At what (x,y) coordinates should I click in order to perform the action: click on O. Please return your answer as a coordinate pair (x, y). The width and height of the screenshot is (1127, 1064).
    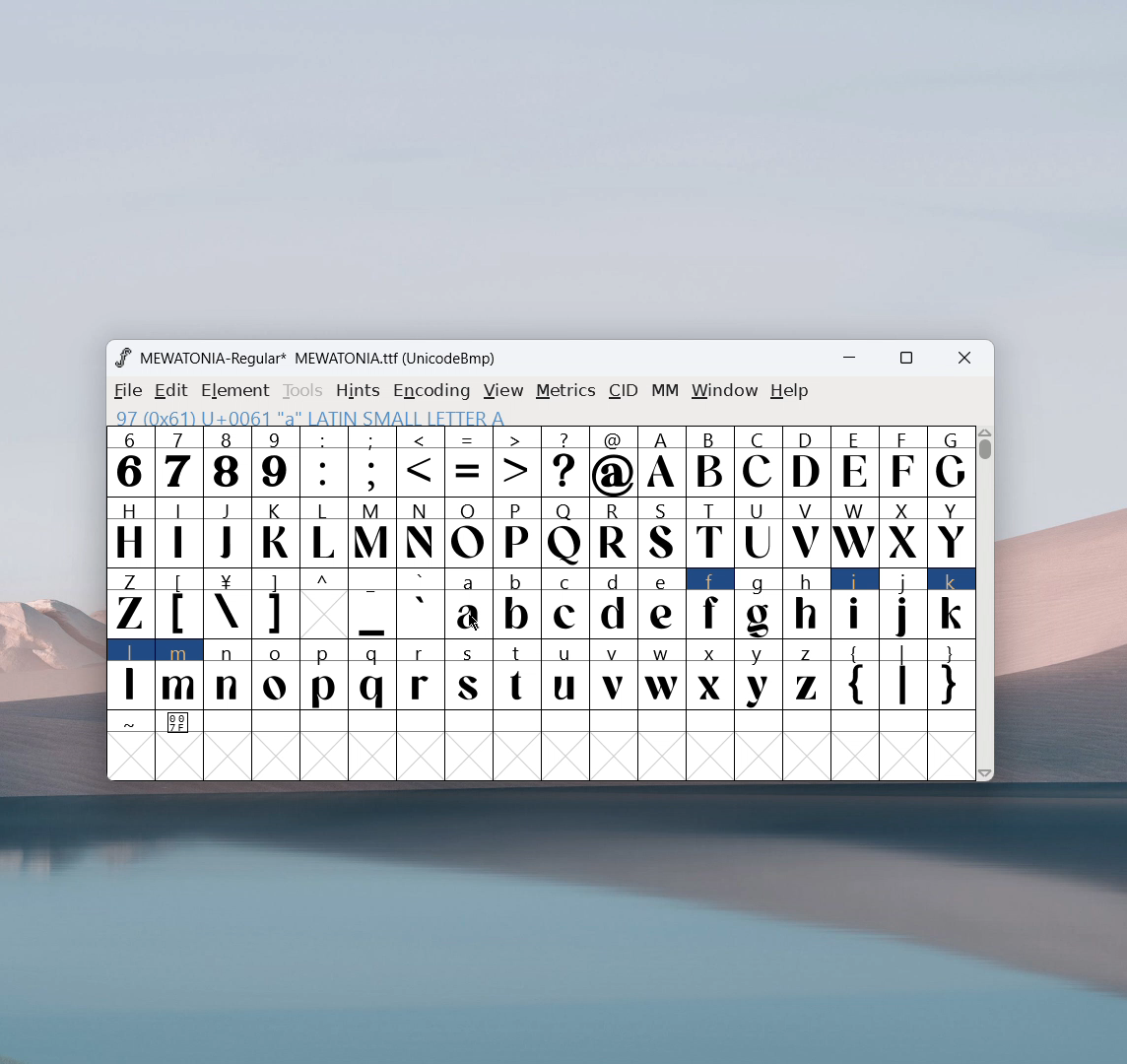
    Looking at the image, I should click on (469, 532).